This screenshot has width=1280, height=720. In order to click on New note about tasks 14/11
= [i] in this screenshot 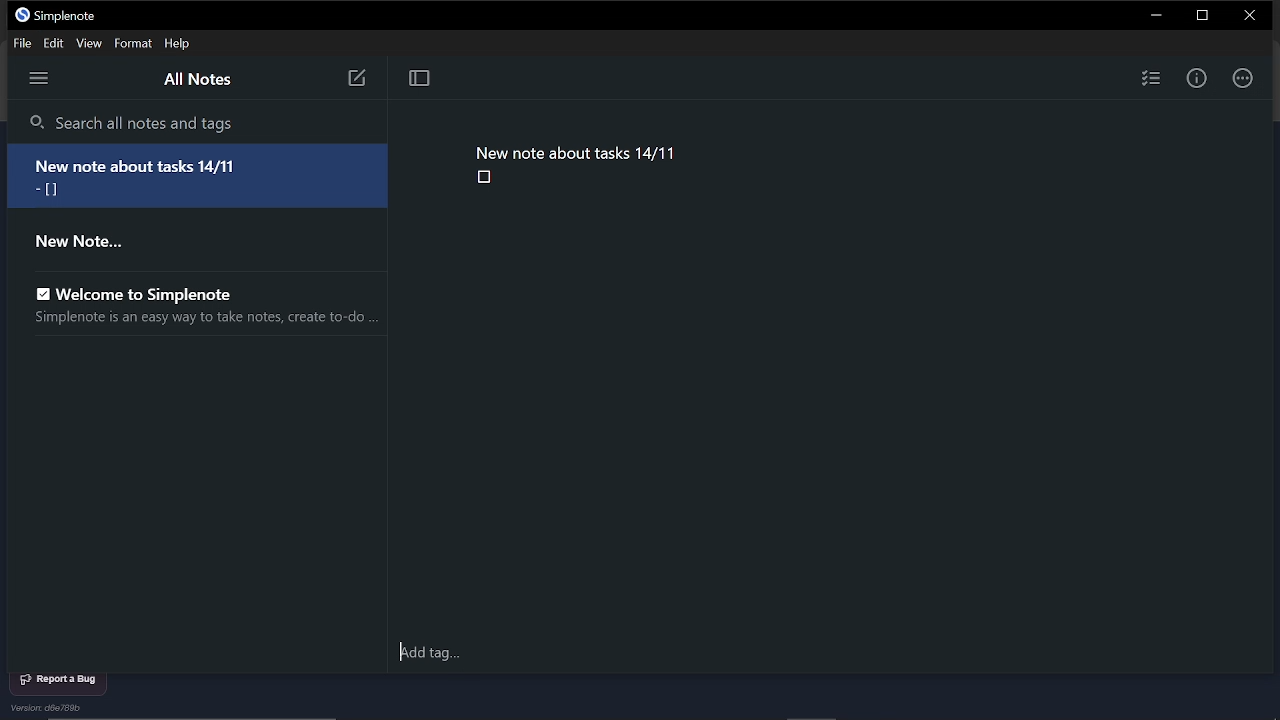, I will do `click(203, 176)`.